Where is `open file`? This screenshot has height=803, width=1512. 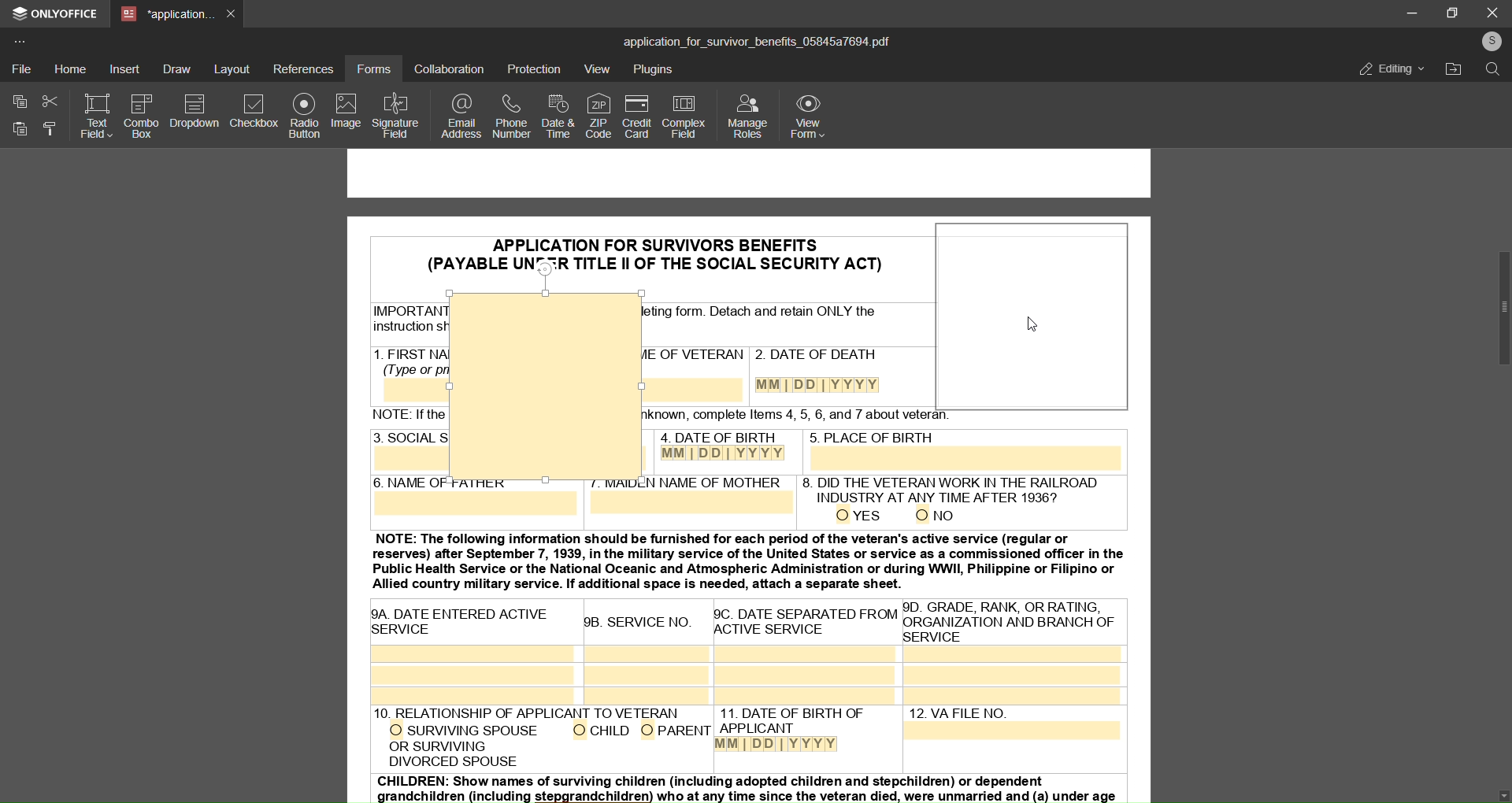
open file is located at coordinates (1455, 70).